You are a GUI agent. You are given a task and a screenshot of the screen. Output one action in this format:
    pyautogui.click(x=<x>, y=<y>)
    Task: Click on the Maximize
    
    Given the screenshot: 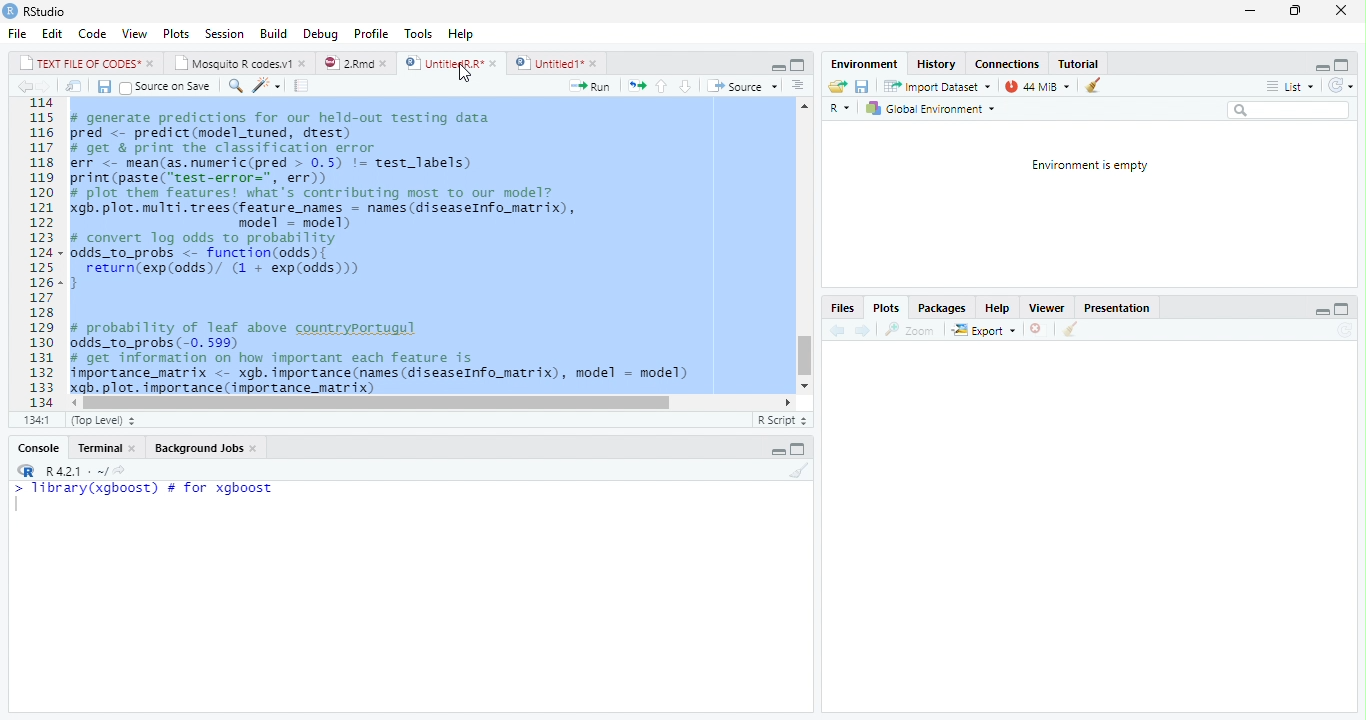 What is the action you would take?
    pyautogui.click(x=797, y=63)
    